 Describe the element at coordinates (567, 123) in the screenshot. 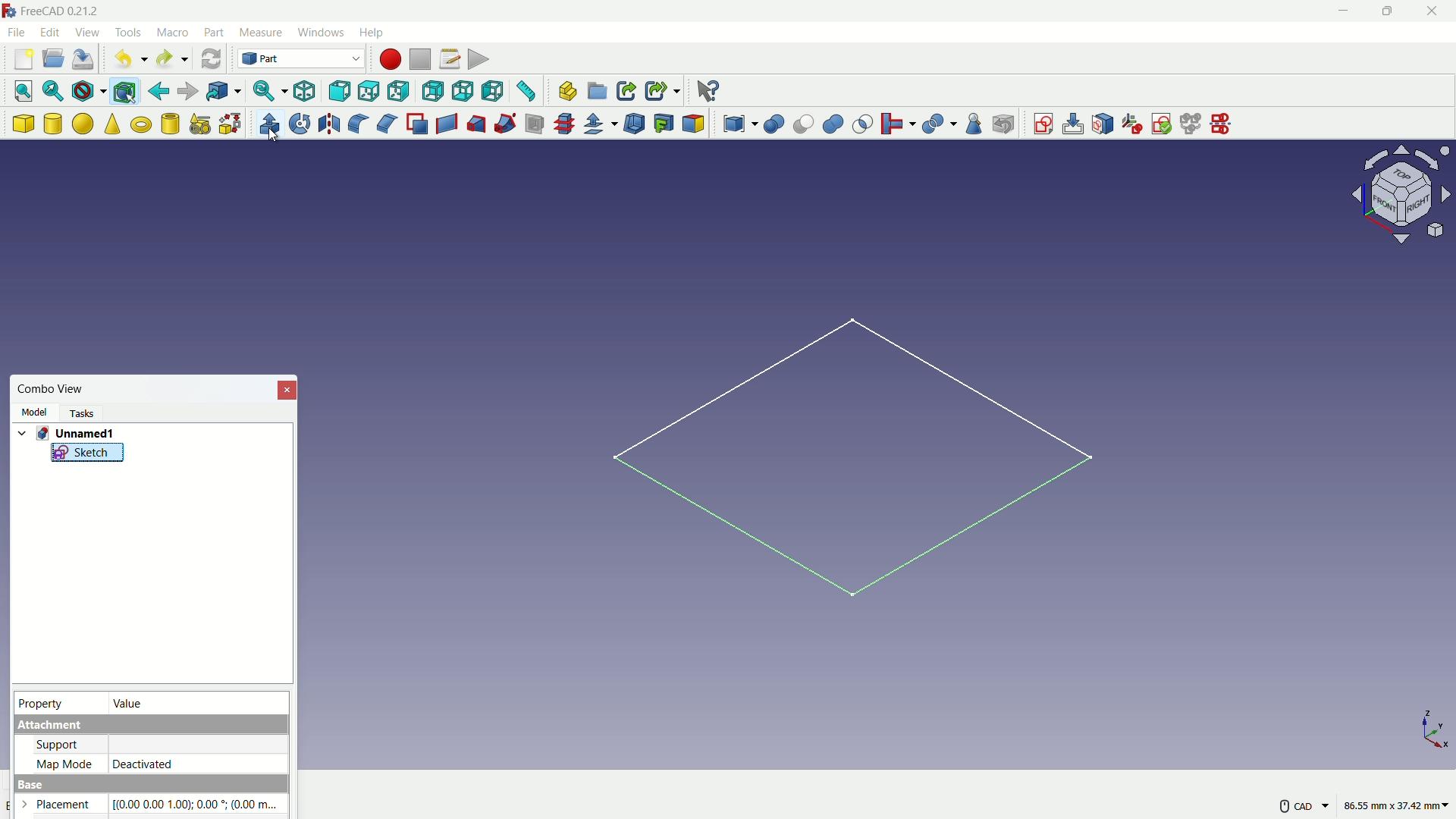

I see `cross section` at that location.